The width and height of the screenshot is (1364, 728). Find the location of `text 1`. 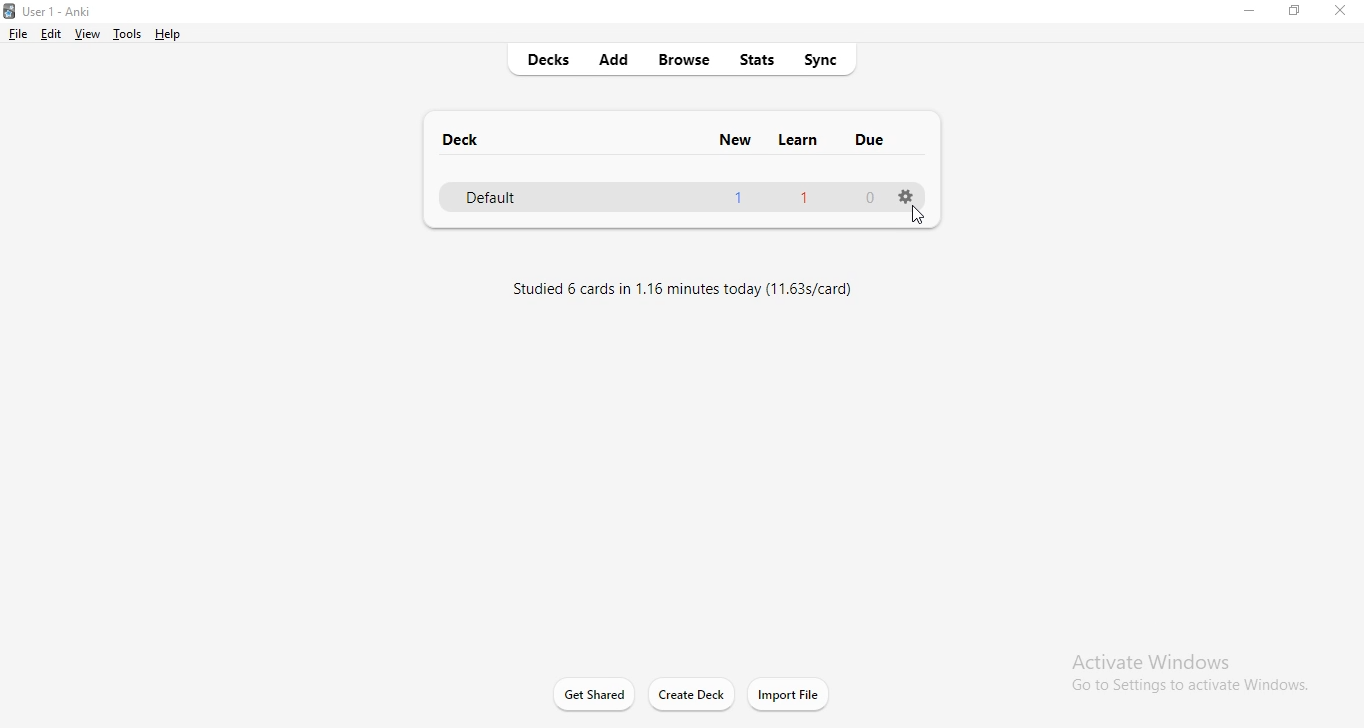

text 1 is located at coordinates (677, 288).